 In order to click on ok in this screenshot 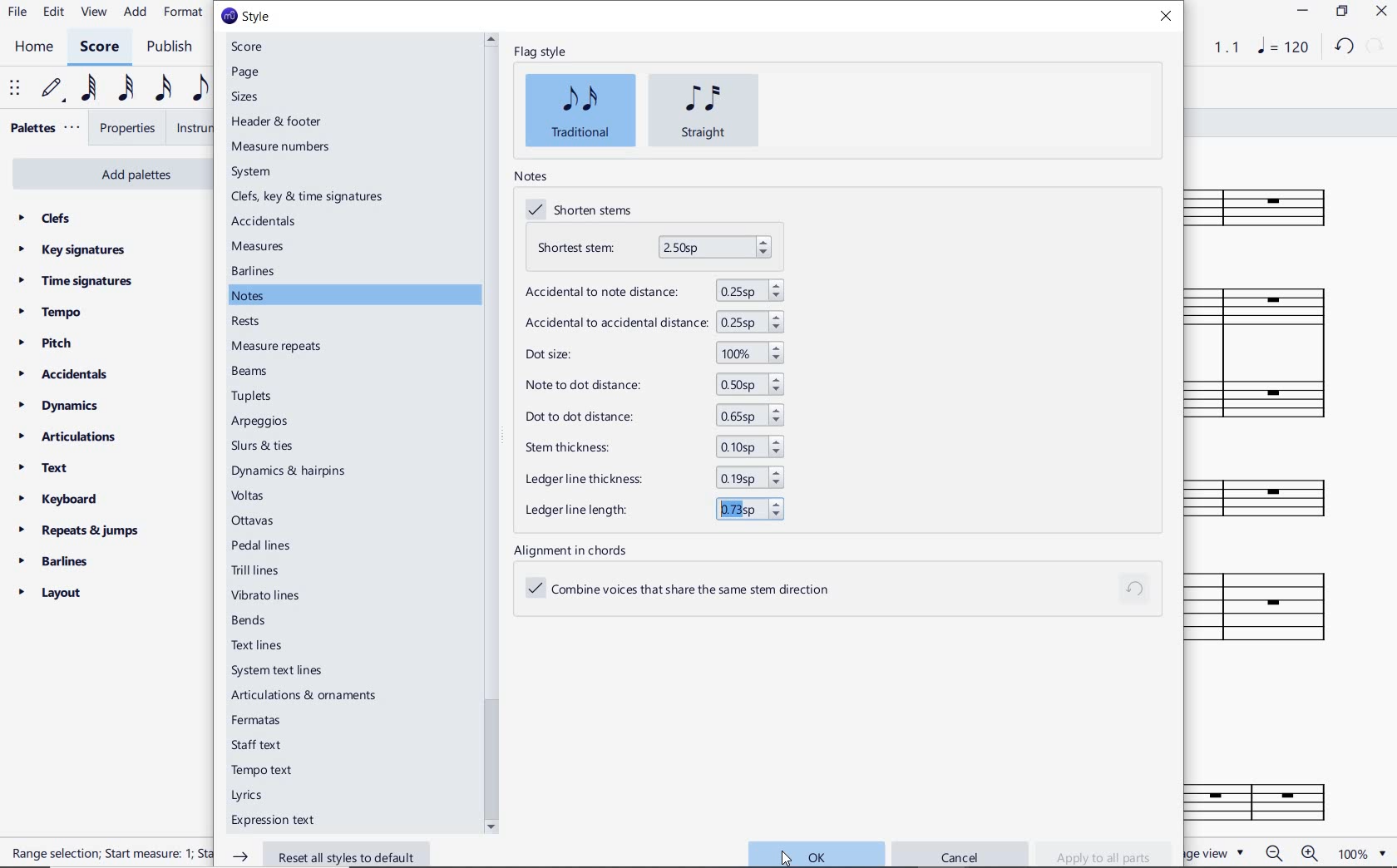, I will do `click(816, 854)`.